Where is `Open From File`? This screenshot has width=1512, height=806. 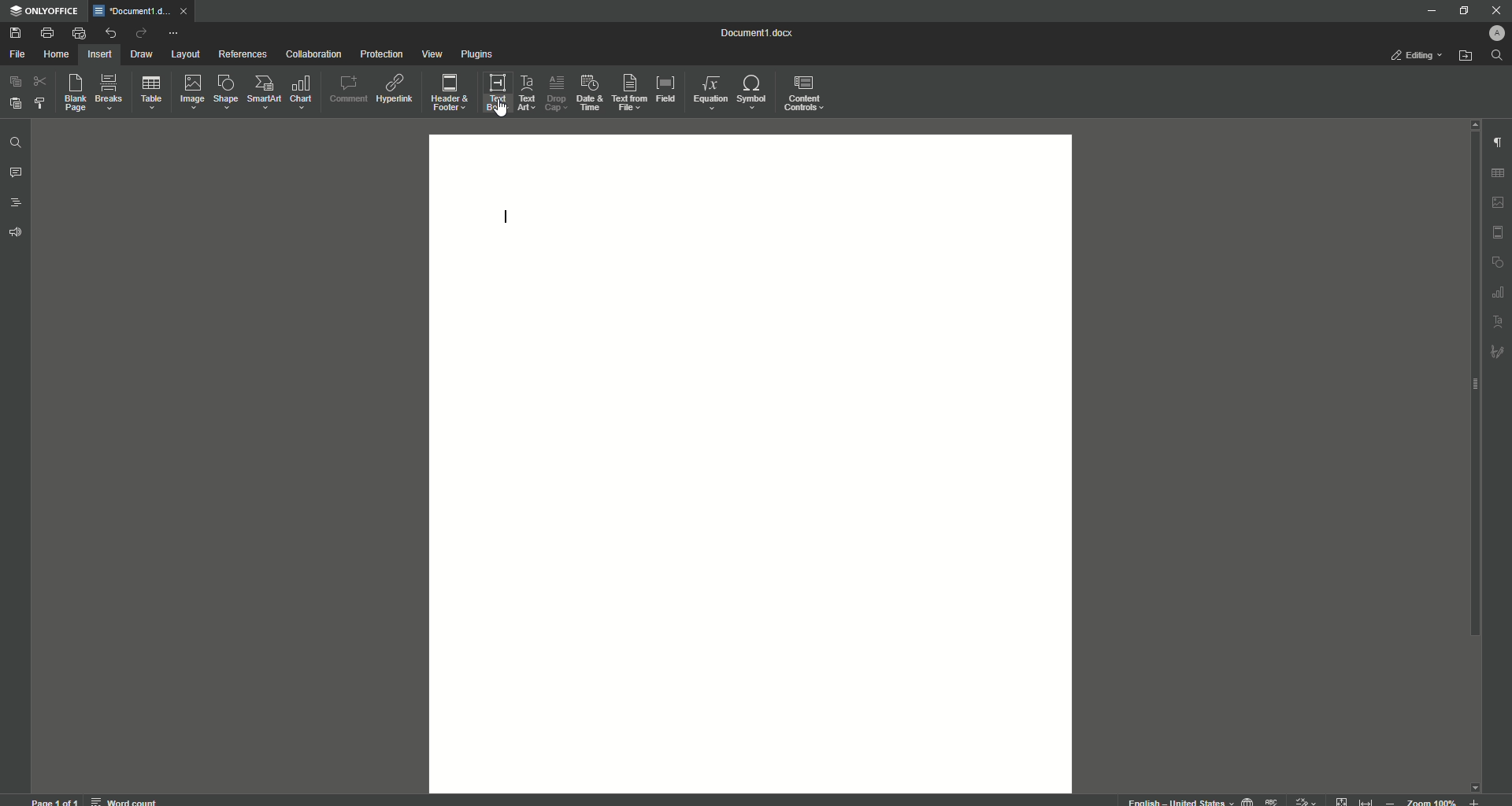
Open From File is located at coordinates (1466, 56).